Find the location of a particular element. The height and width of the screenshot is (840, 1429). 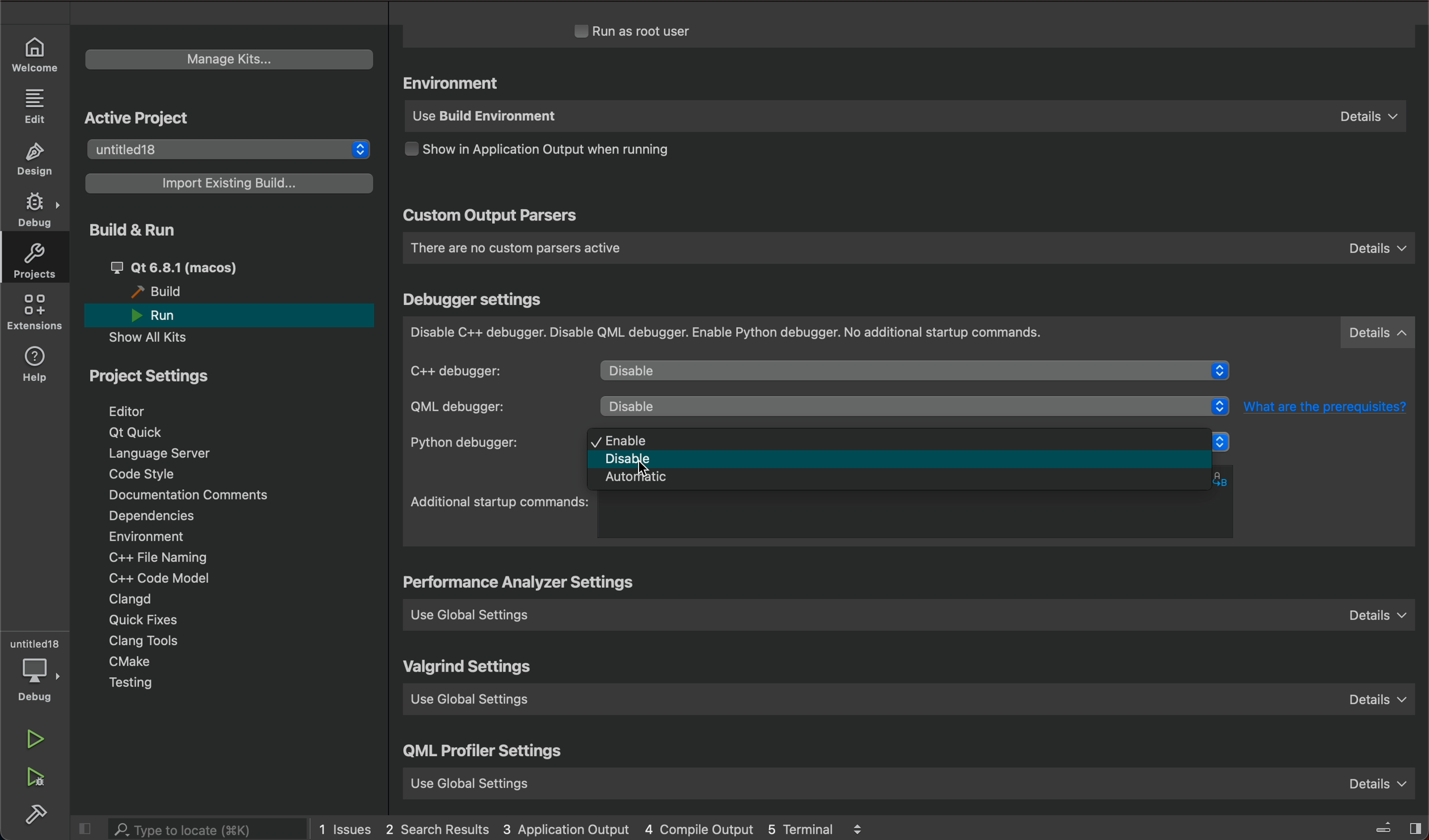

What are the prerequisites? is located at coordinates (1330, 408).